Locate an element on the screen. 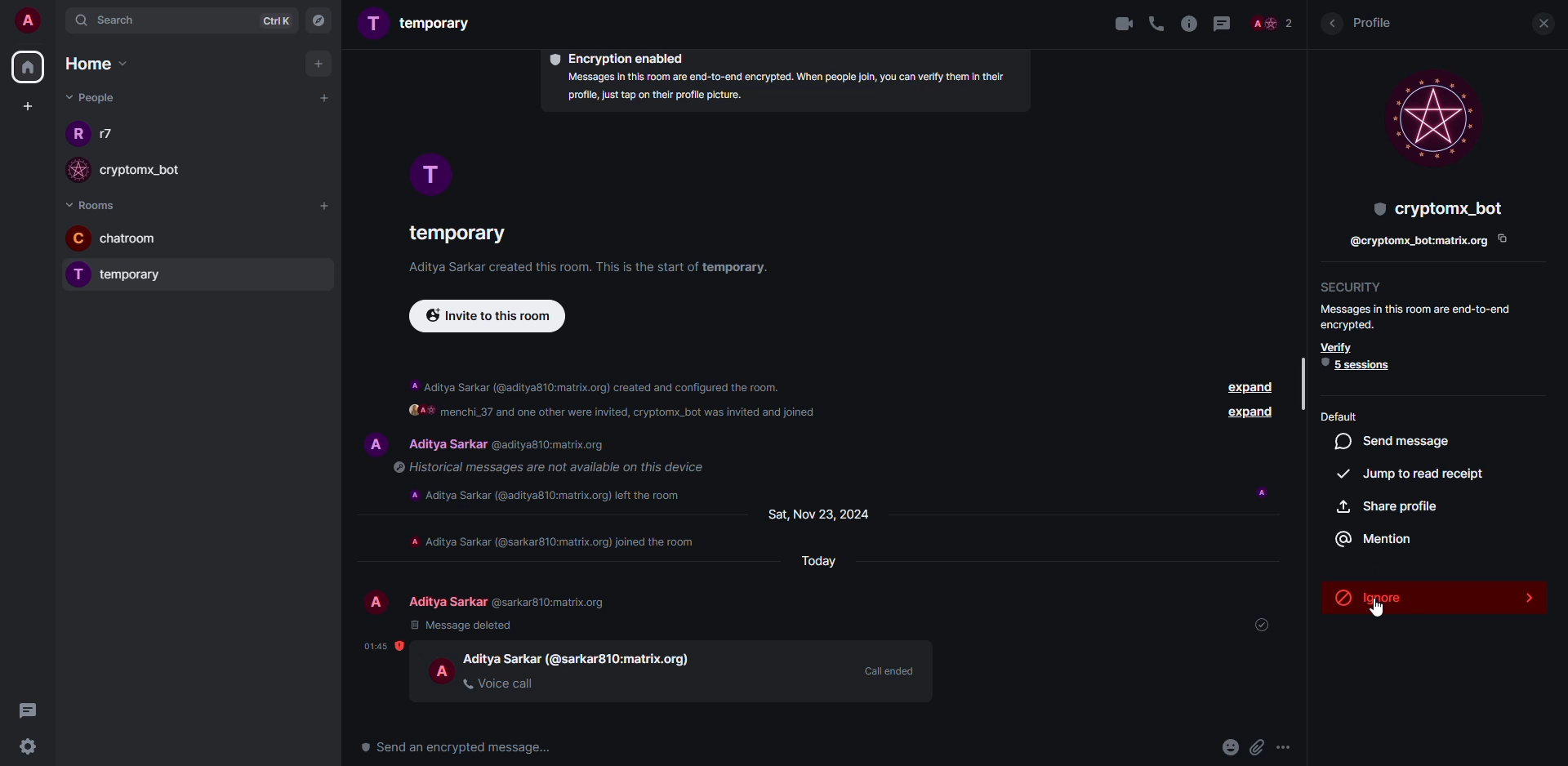 The image size is (1568, 766). profile is located at coordinates (1378, 24).